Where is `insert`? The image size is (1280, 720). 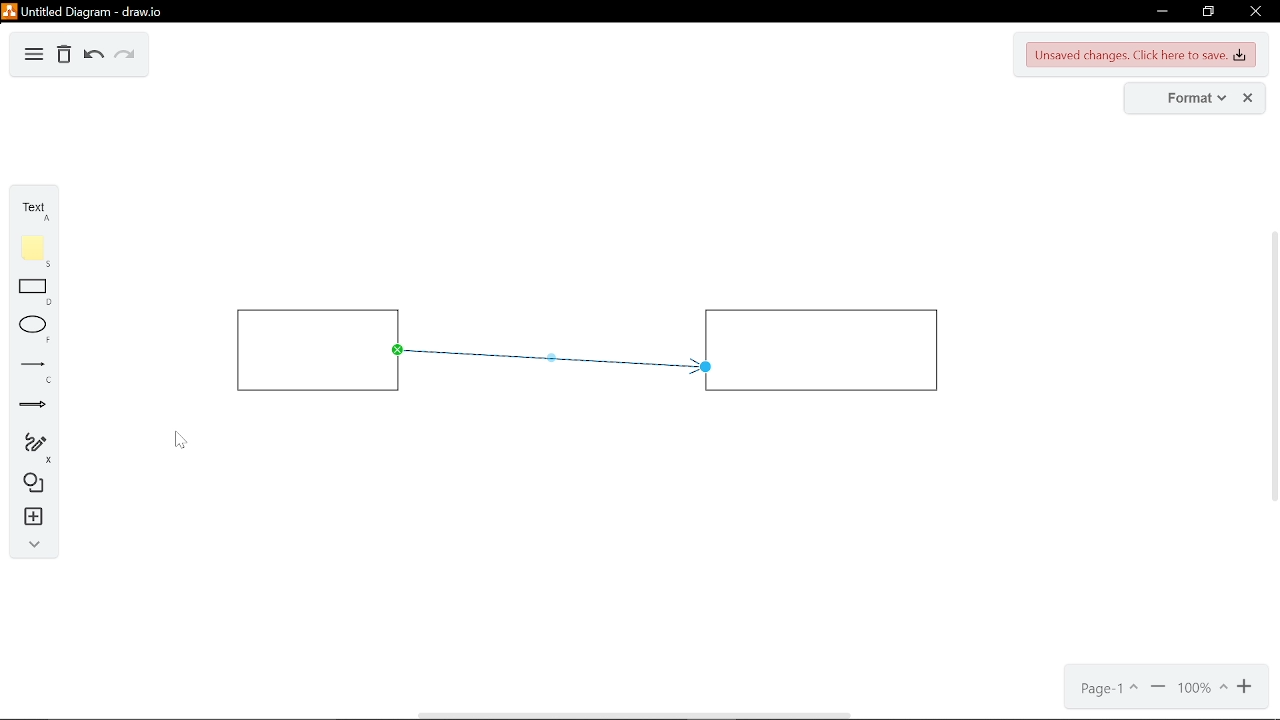
insert is located at coordinates (32, 517).